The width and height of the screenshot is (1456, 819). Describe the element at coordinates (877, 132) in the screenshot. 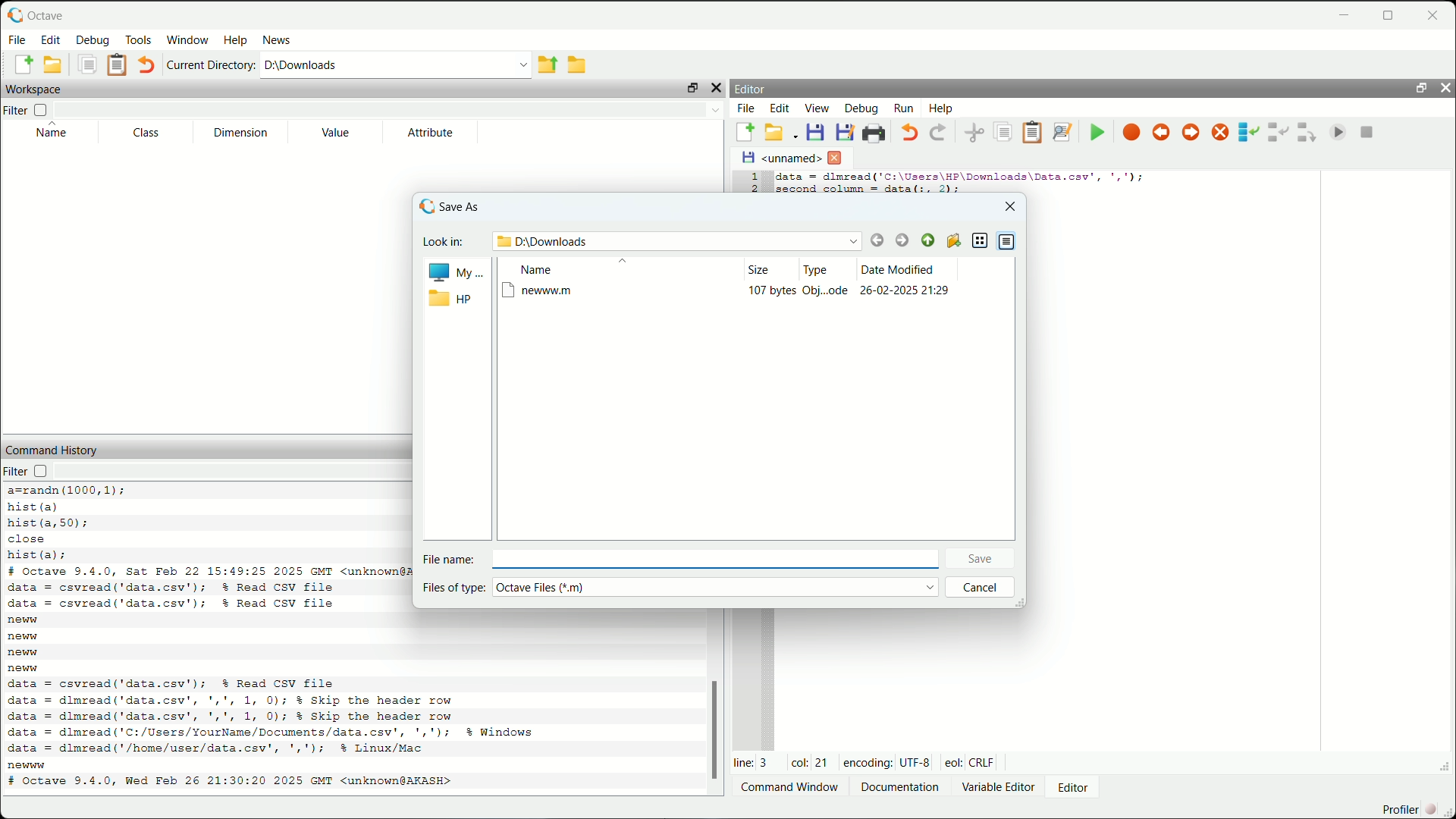

I see `print` at that location.